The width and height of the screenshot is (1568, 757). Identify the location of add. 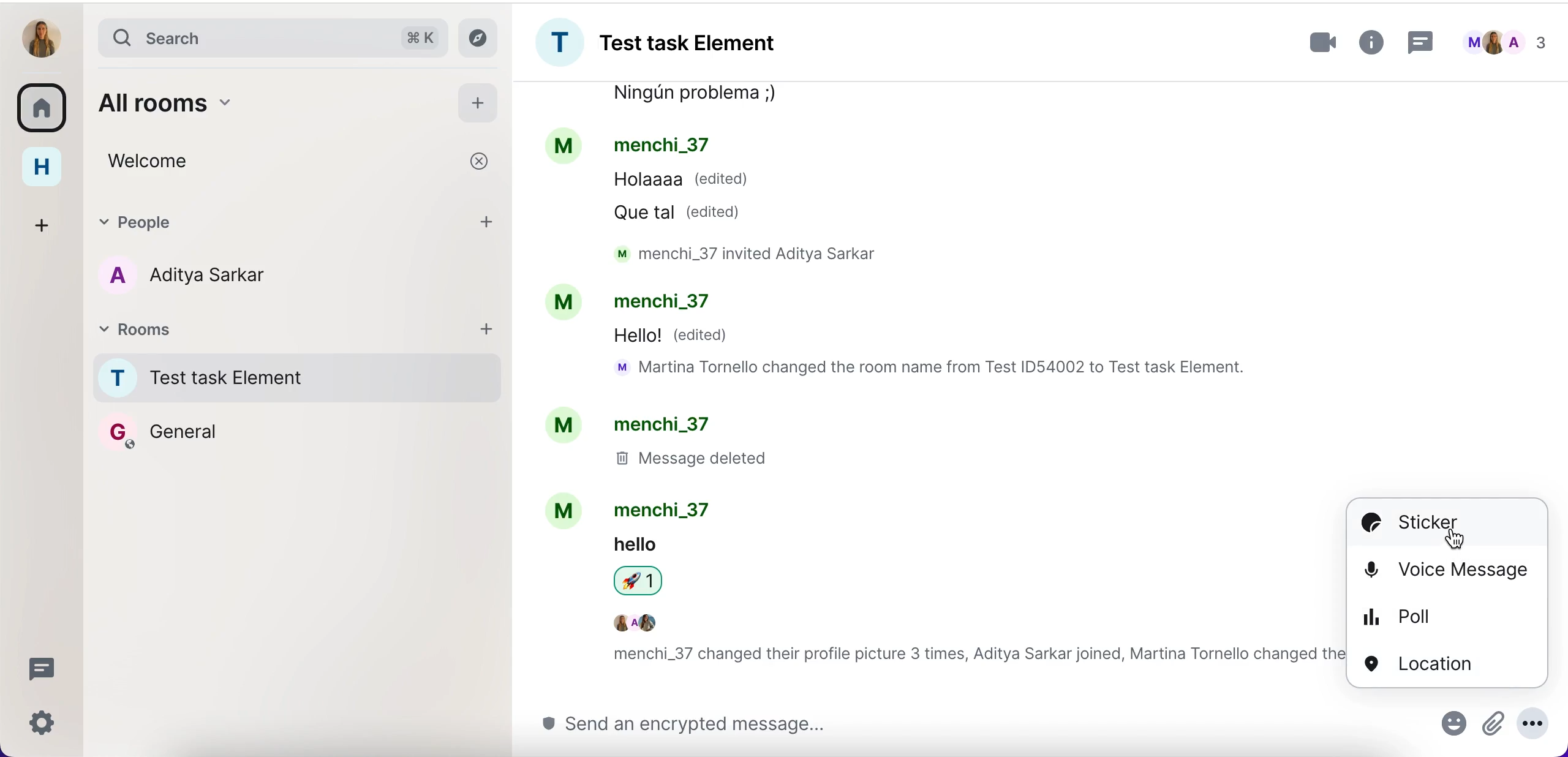
(488, 333).